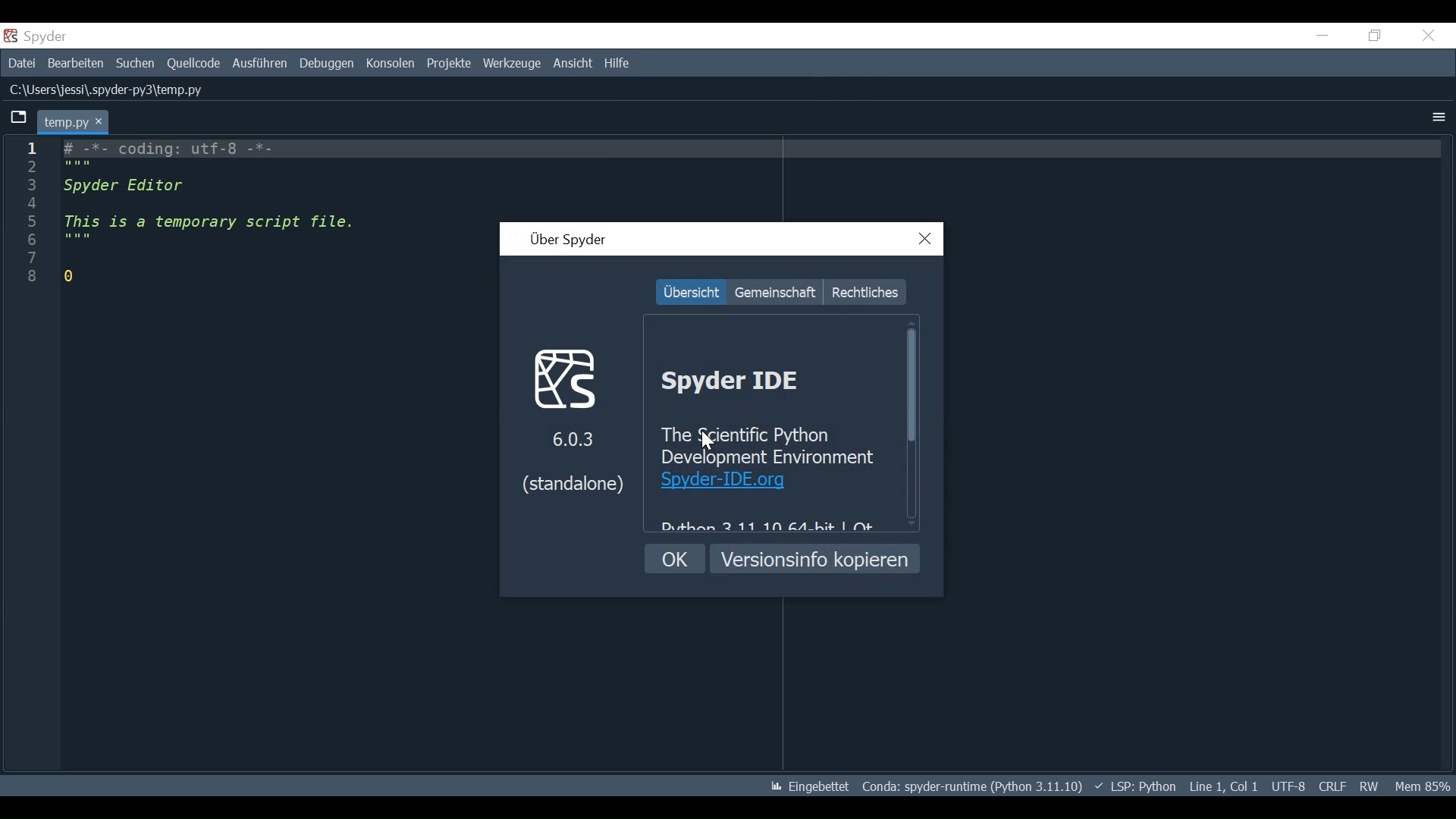 Image resolution: width=1456 pixels, height=819 pixels. Describe the element at coordinates (617, 64) in the screenshot. I see `Help` at that location.